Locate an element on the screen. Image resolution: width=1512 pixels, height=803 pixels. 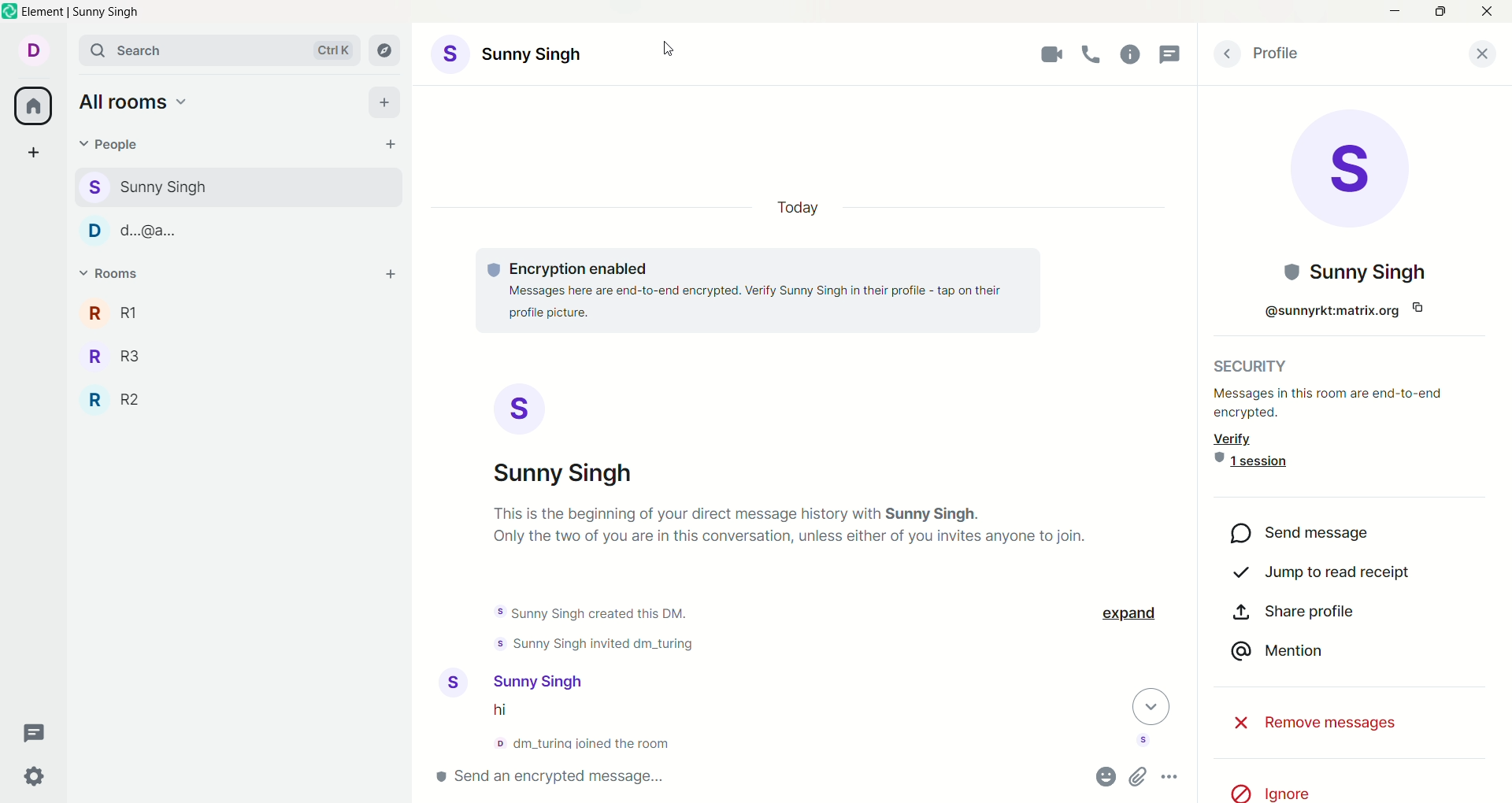
search is located at coordinates (220, 50).